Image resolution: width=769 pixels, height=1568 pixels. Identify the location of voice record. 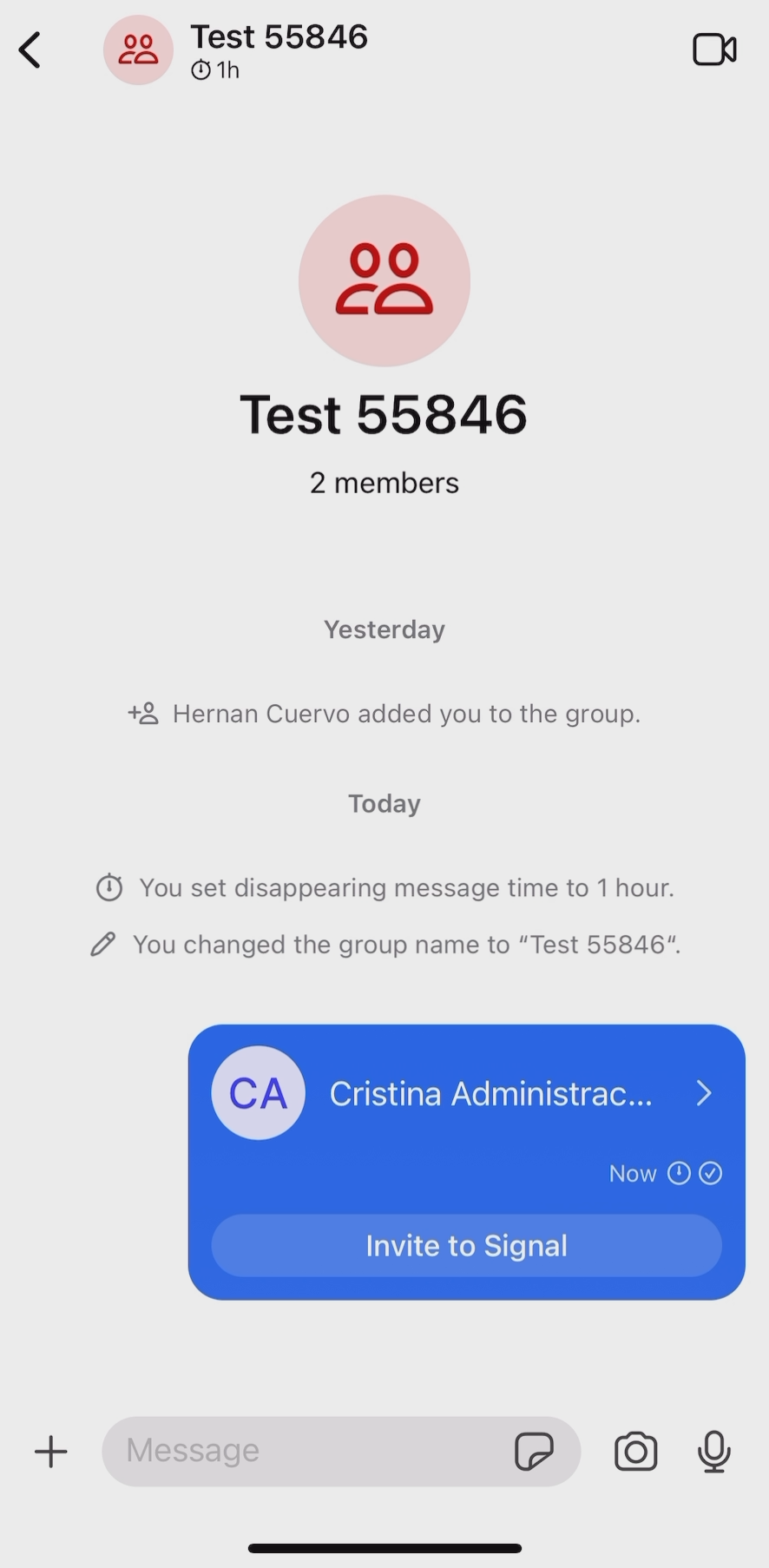
(714, 1447).